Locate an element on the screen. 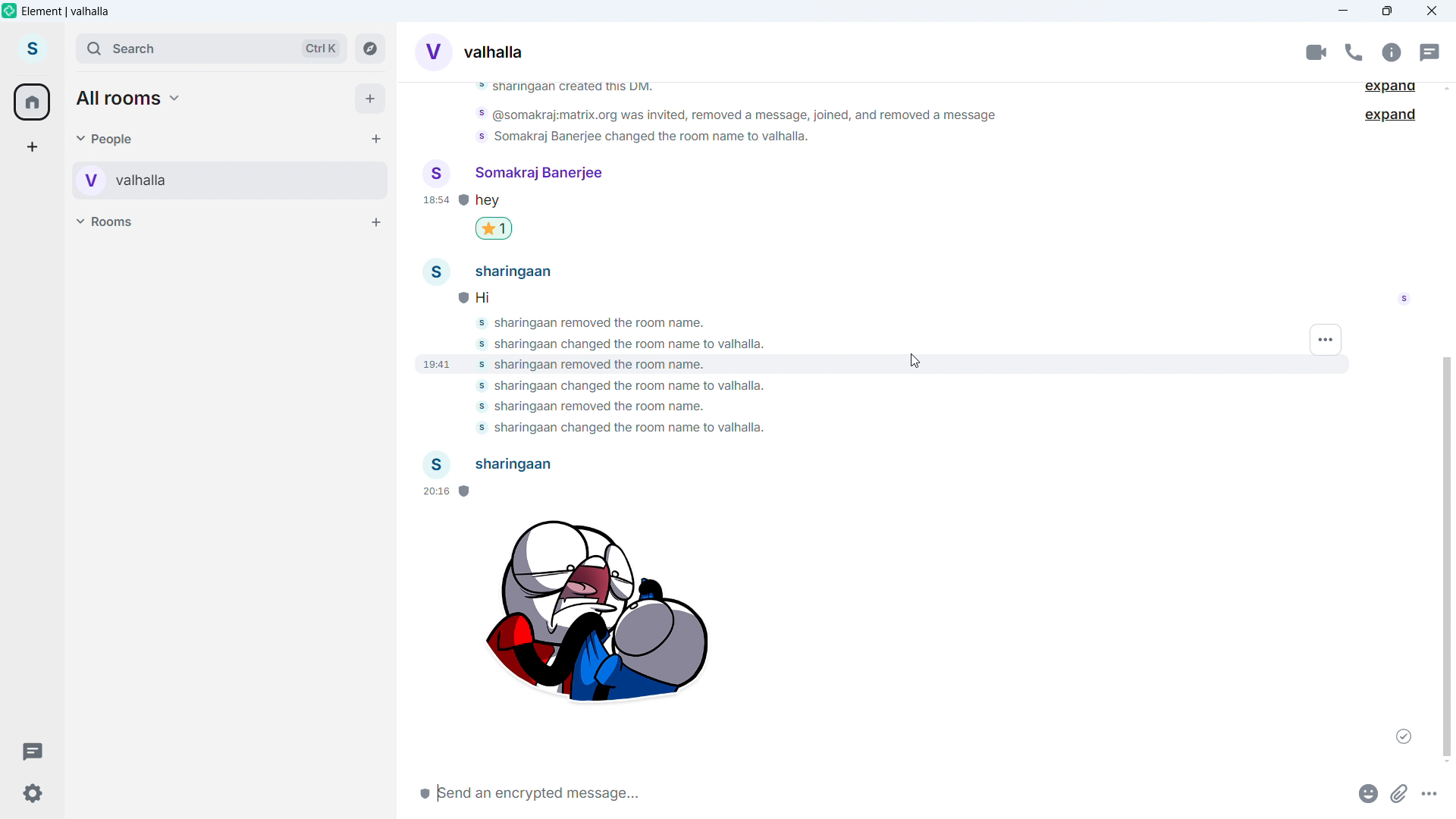 Image resolution: width=1456 pixels, height=819 pixels. Somakraj Banerjee is located at coordinates (513, 177).